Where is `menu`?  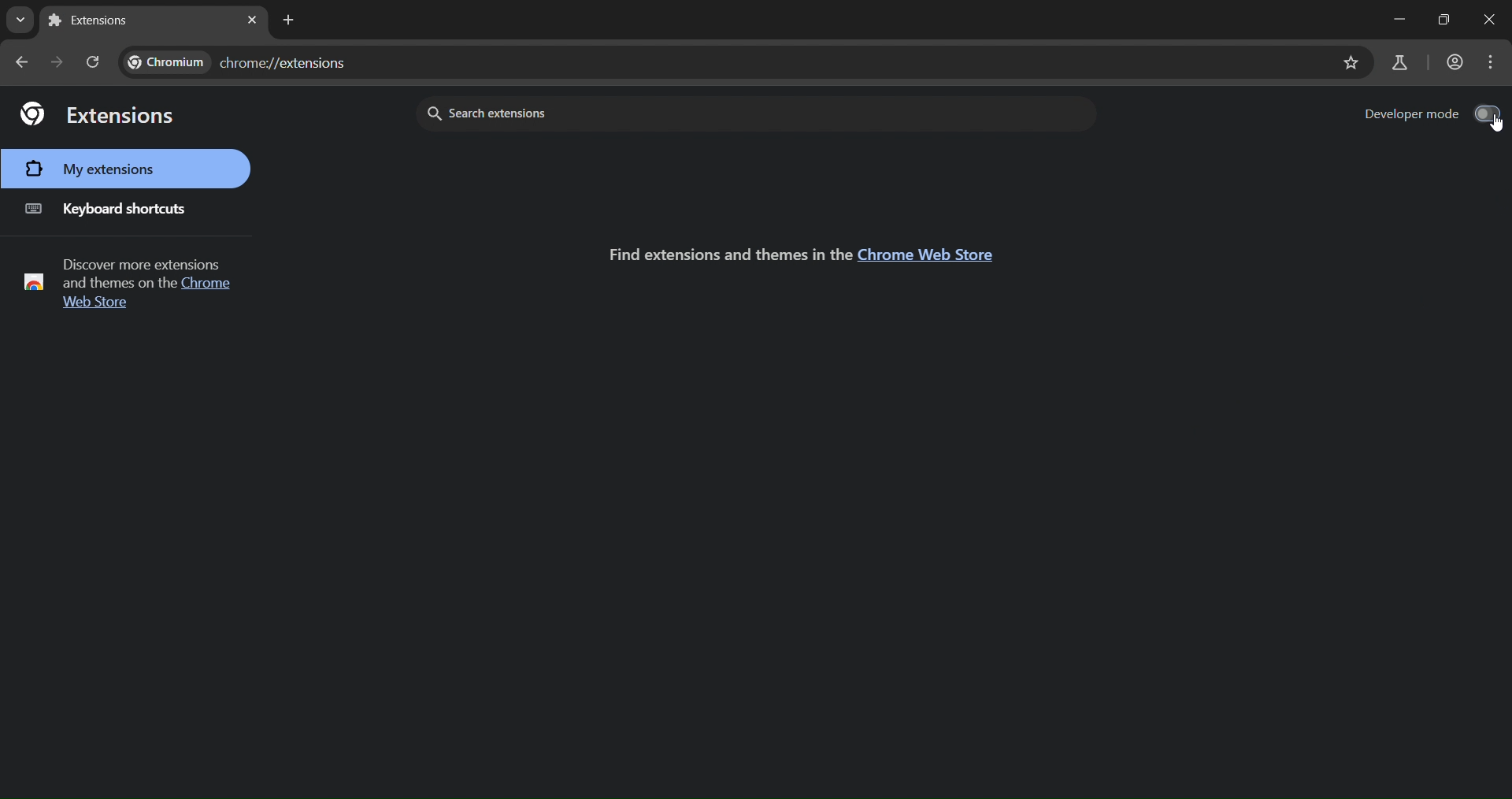 menu is located at coordinates (1492, 64).